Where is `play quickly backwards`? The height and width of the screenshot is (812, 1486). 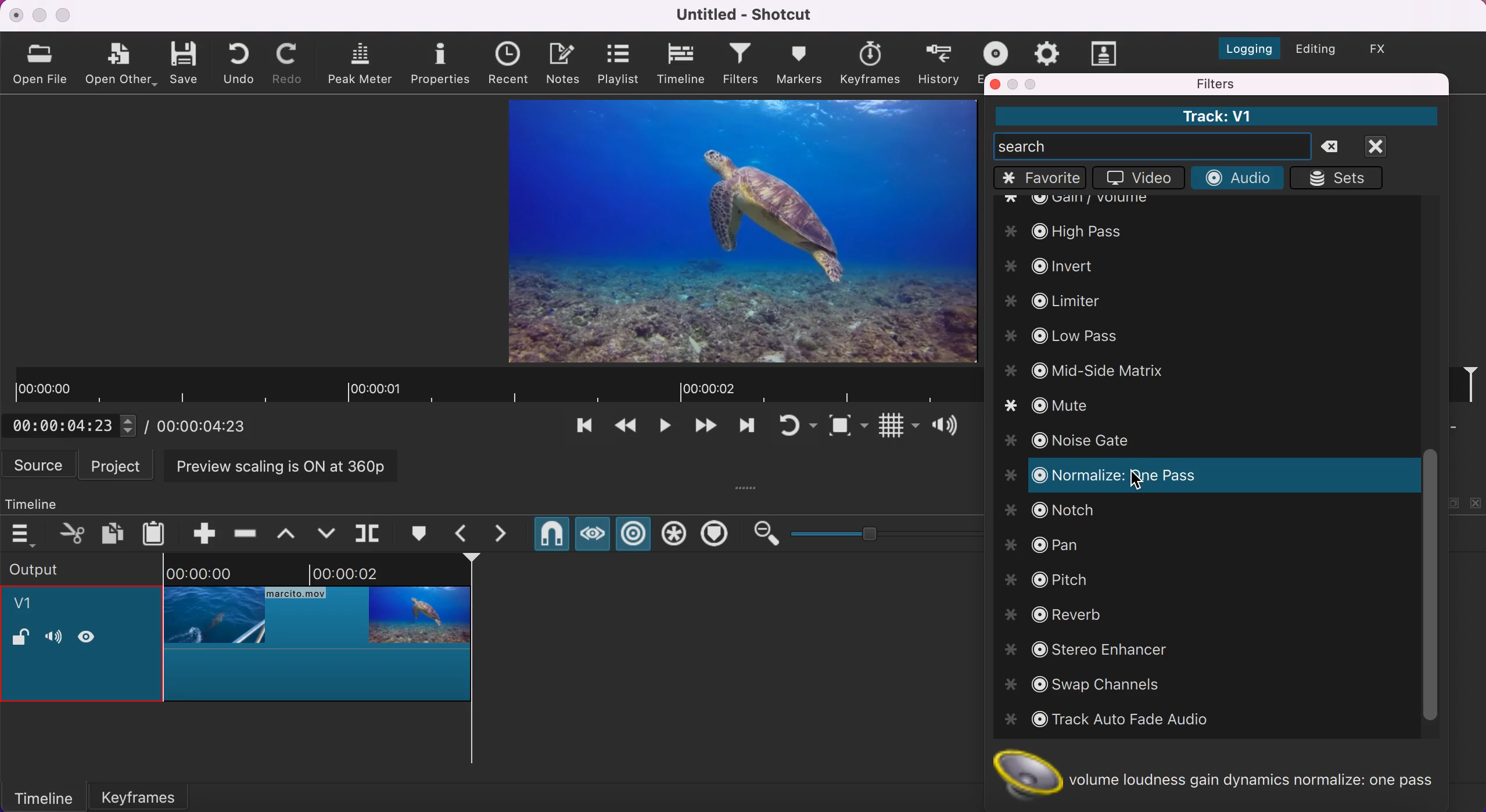 play quickly backwards is located at coordinates (624, 429).